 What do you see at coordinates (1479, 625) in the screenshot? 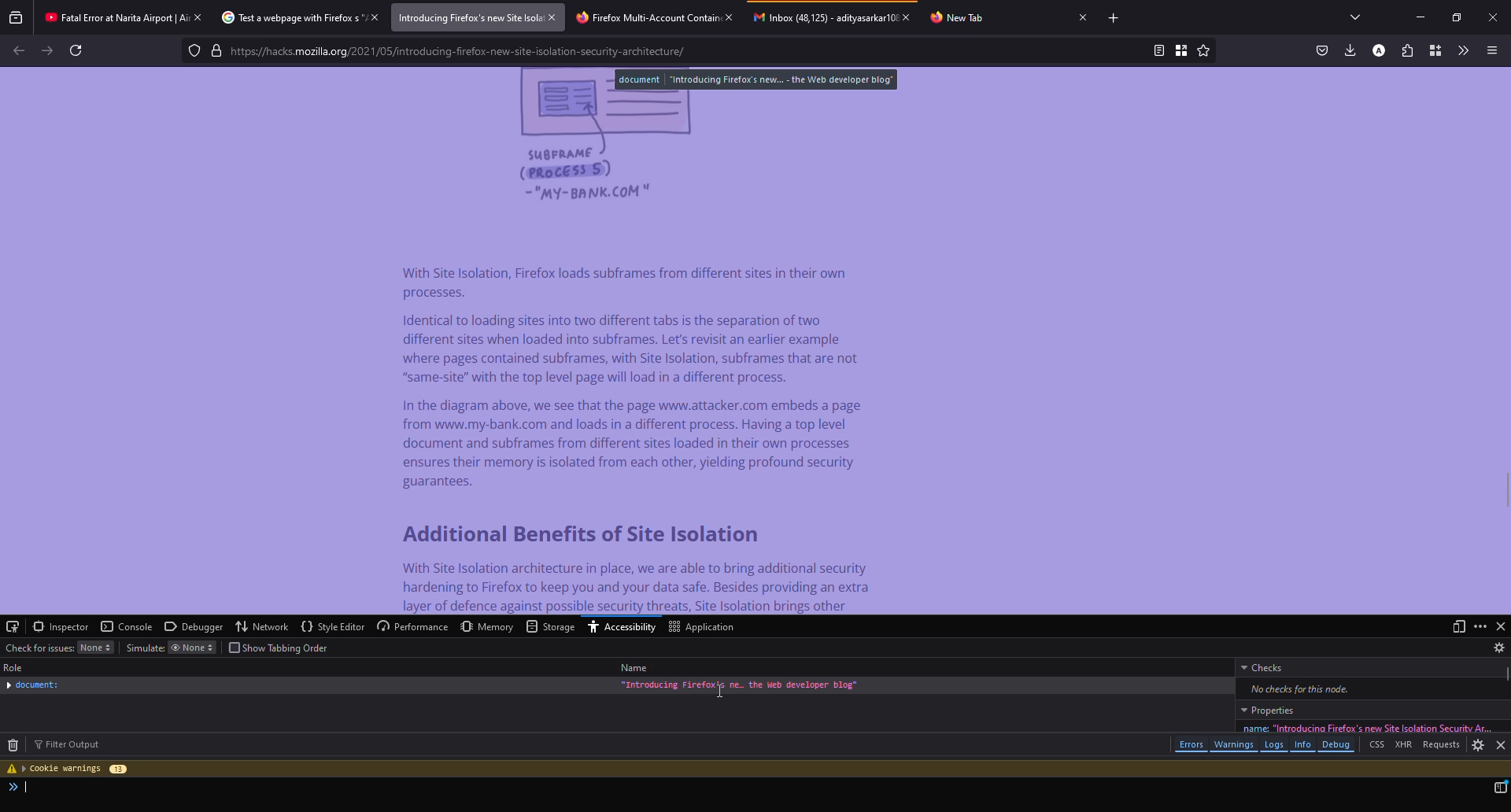
I see `more` at bounding box center [1479, 625].